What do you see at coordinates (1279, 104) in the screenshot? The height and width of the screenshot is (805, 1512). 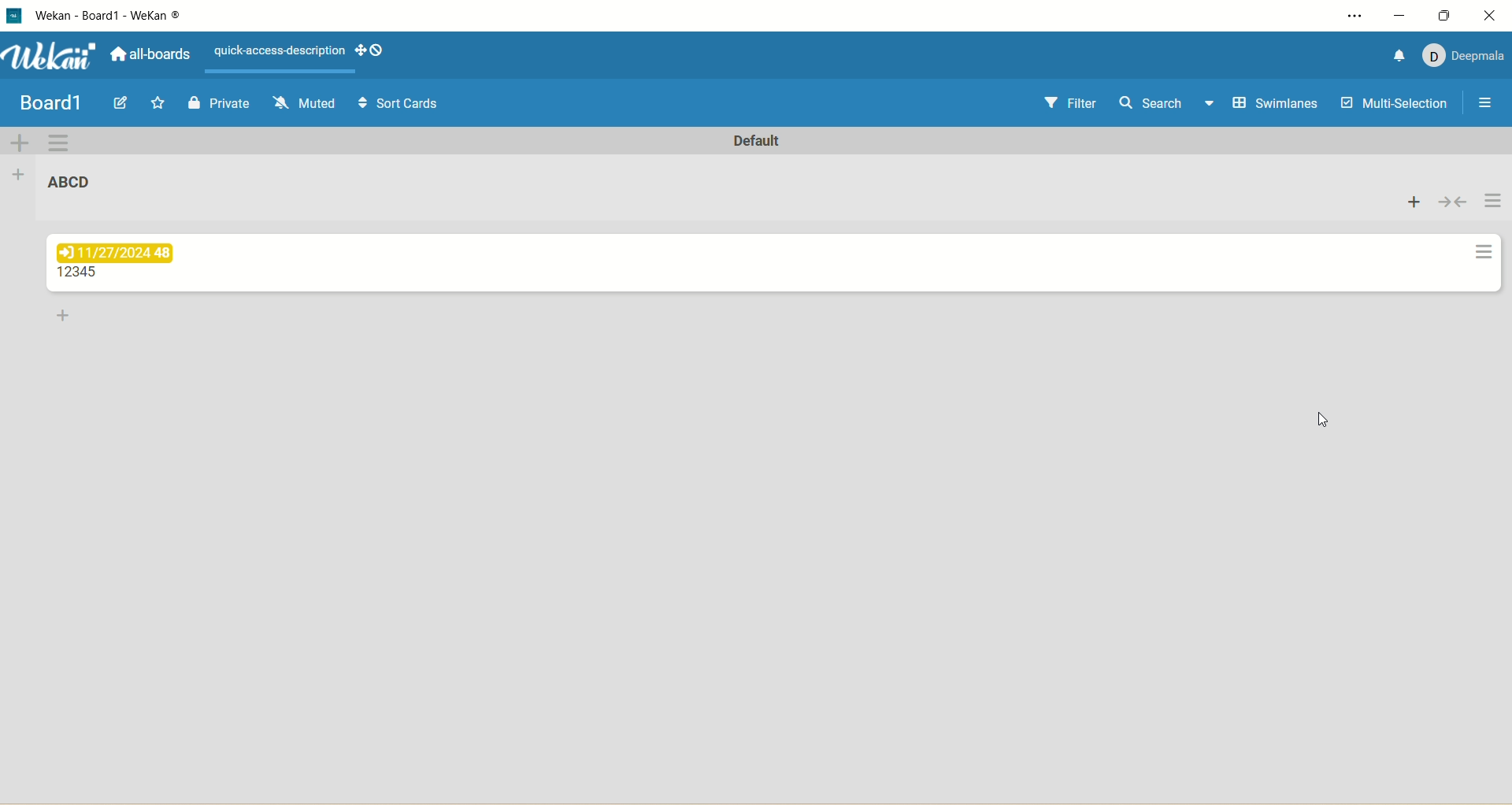 I see `swimlanes` at bounding box center [1279, 104].